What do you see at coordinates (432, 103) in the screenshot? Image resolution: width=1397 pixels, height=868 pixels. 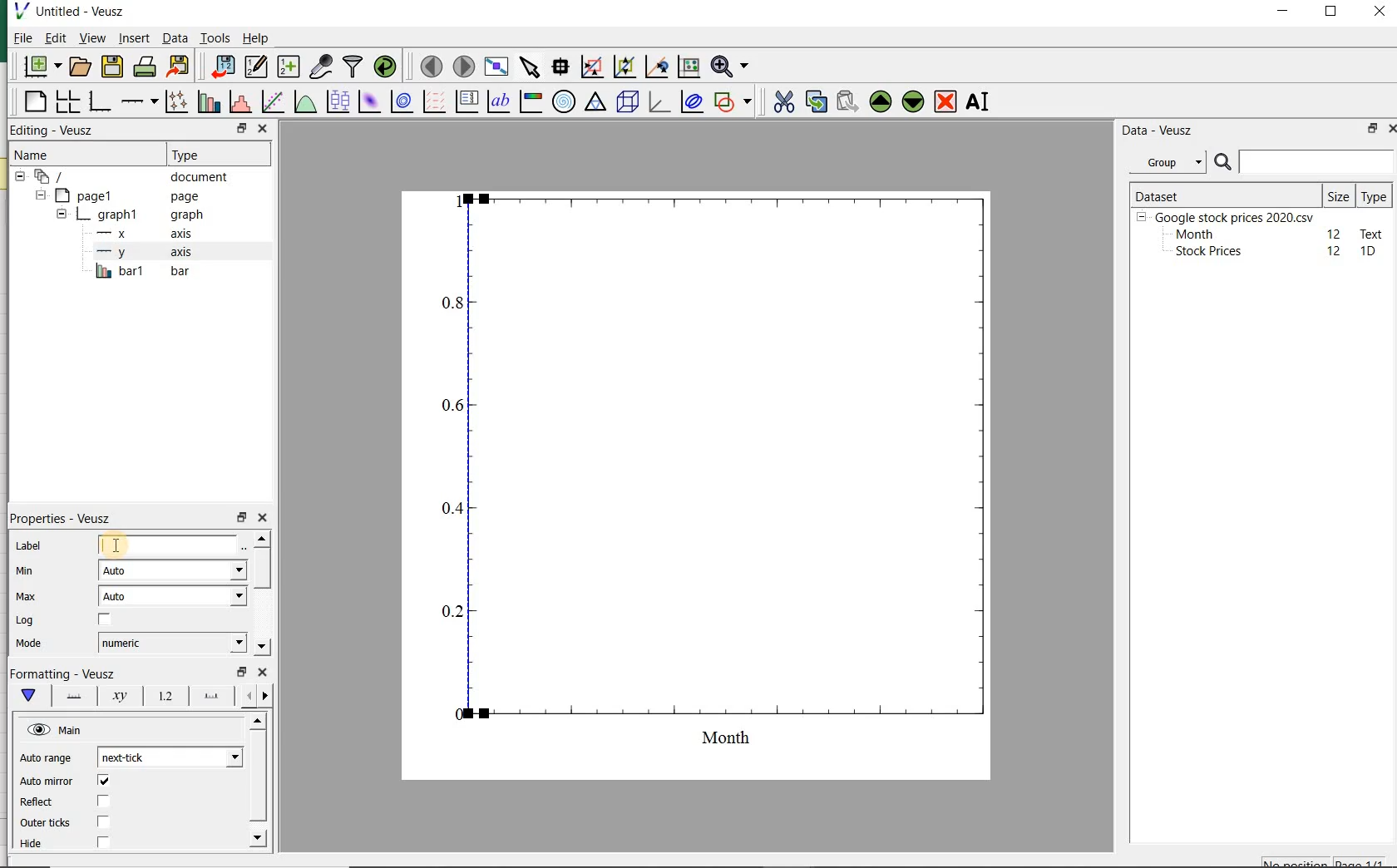 I see `plot a vector field` at bounding box center [432, 103].